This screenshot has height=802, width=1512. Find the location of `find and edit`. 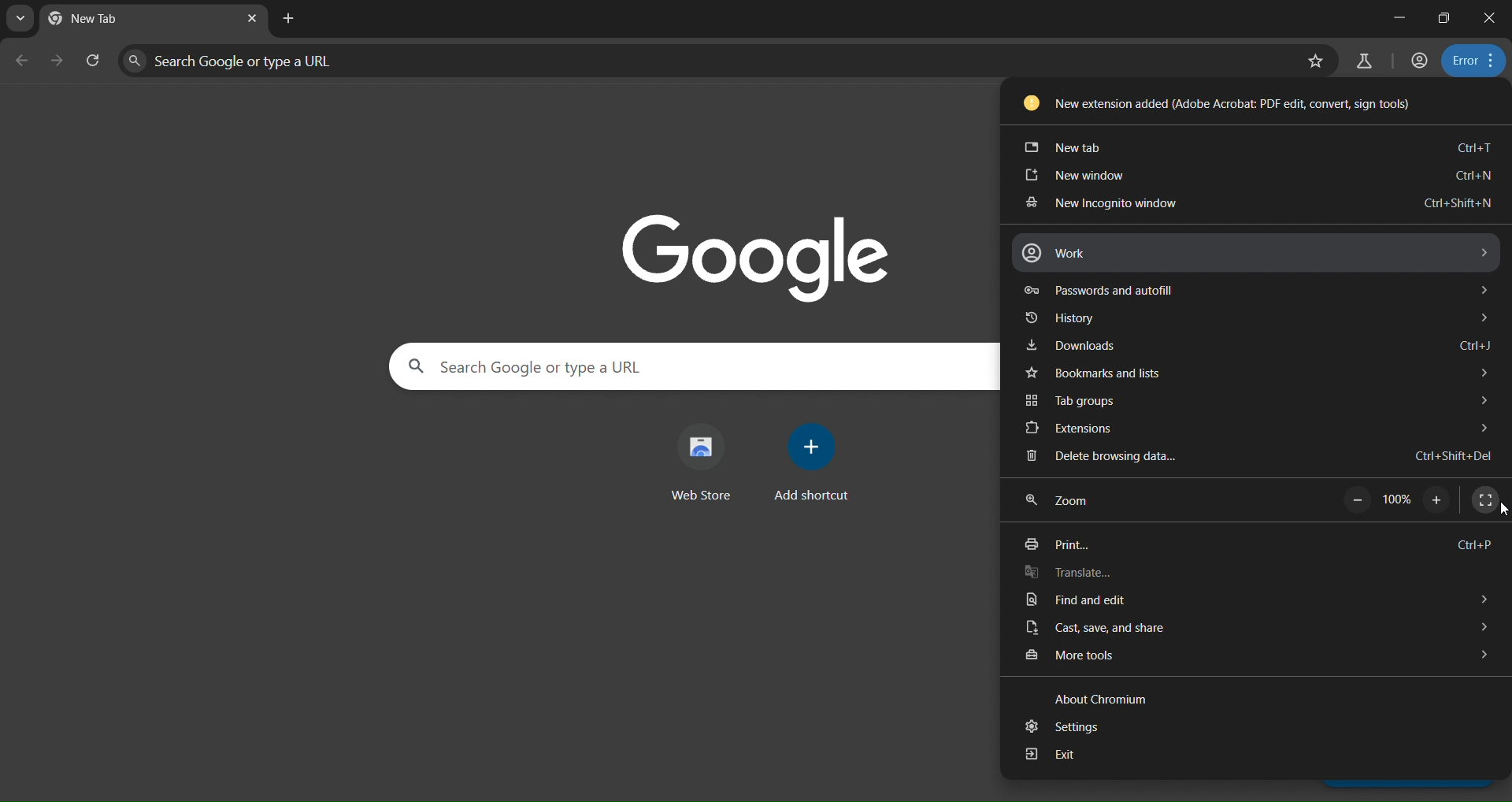

find and edit is located at coordinates (1257, 600).